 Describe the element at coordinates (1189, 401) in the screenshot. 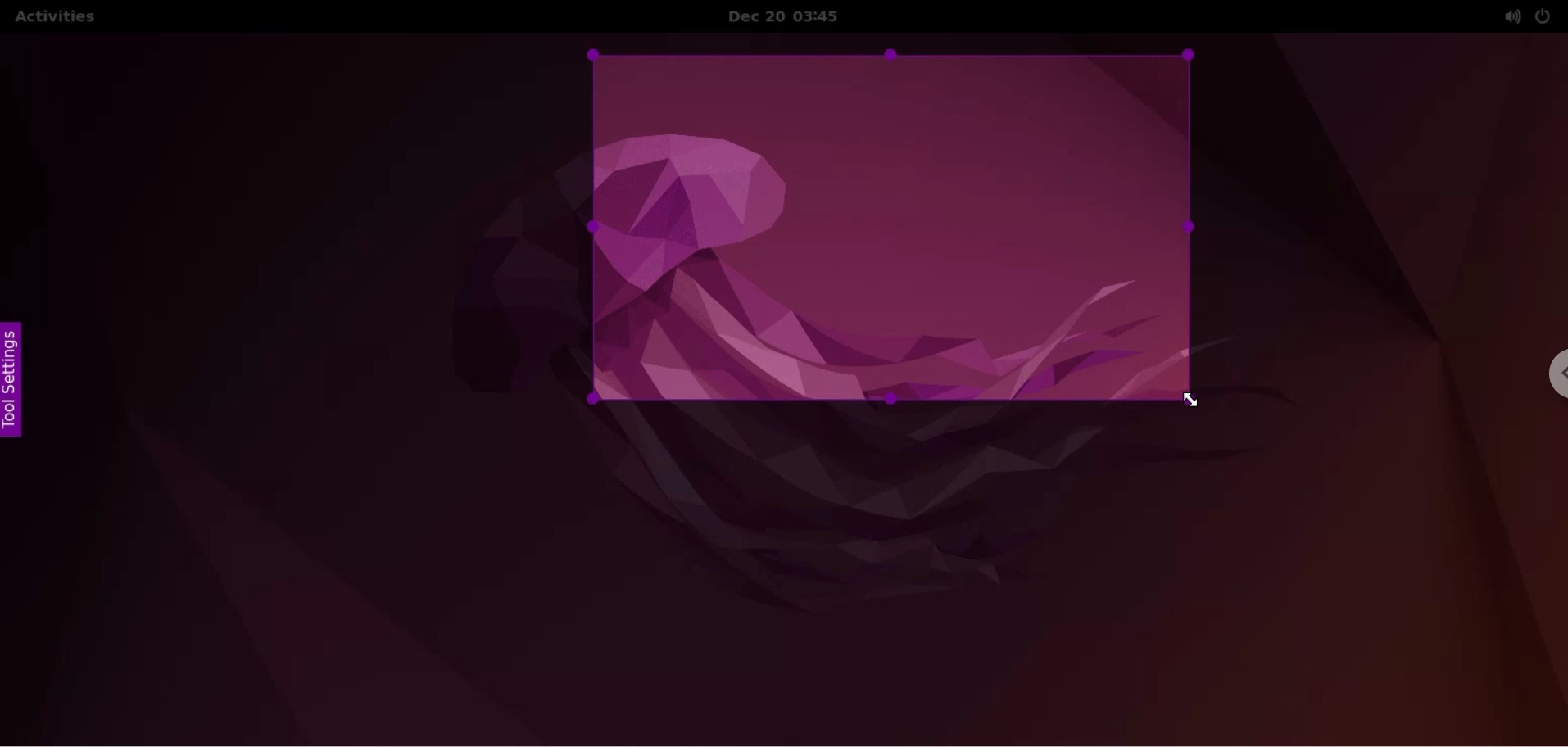

I see `cursor` at that location.